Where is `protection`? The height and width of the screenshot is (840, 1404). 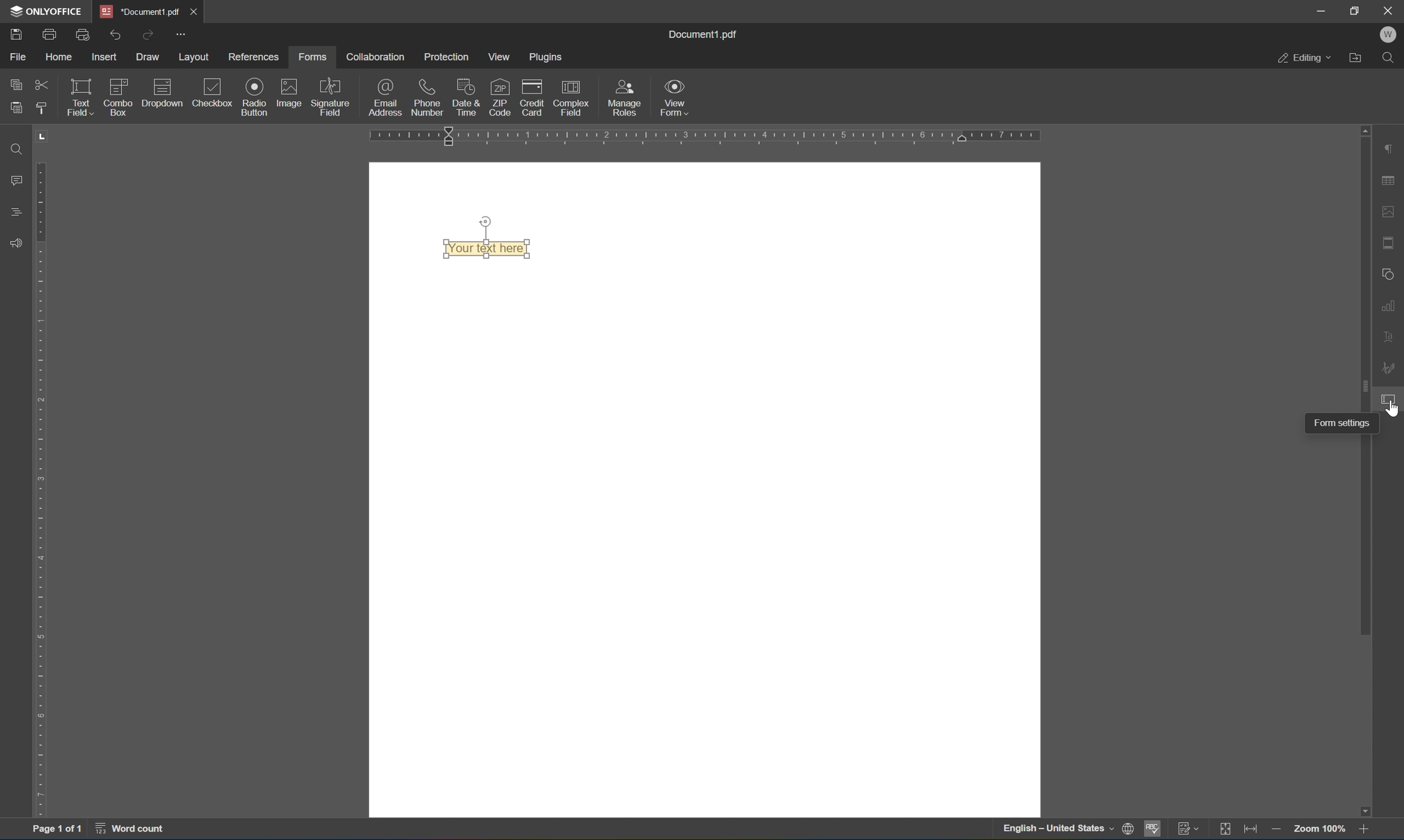
protection is located at coordinates (445, 55).